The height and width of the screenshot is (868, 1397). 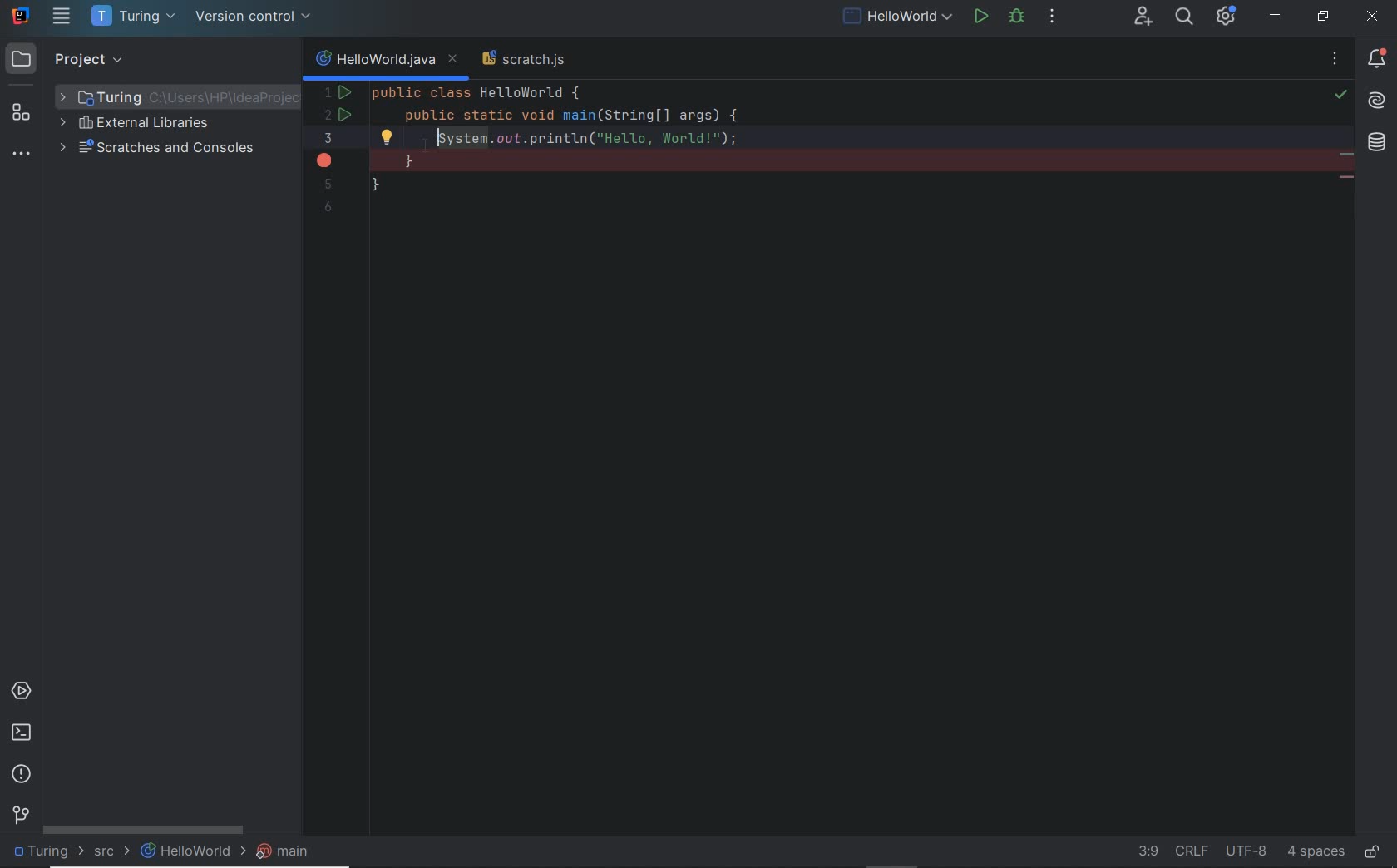 What do you see at coordinates (1144, 850) in the screenshot?
I see `go to line` at bounding box center [1144, 850].